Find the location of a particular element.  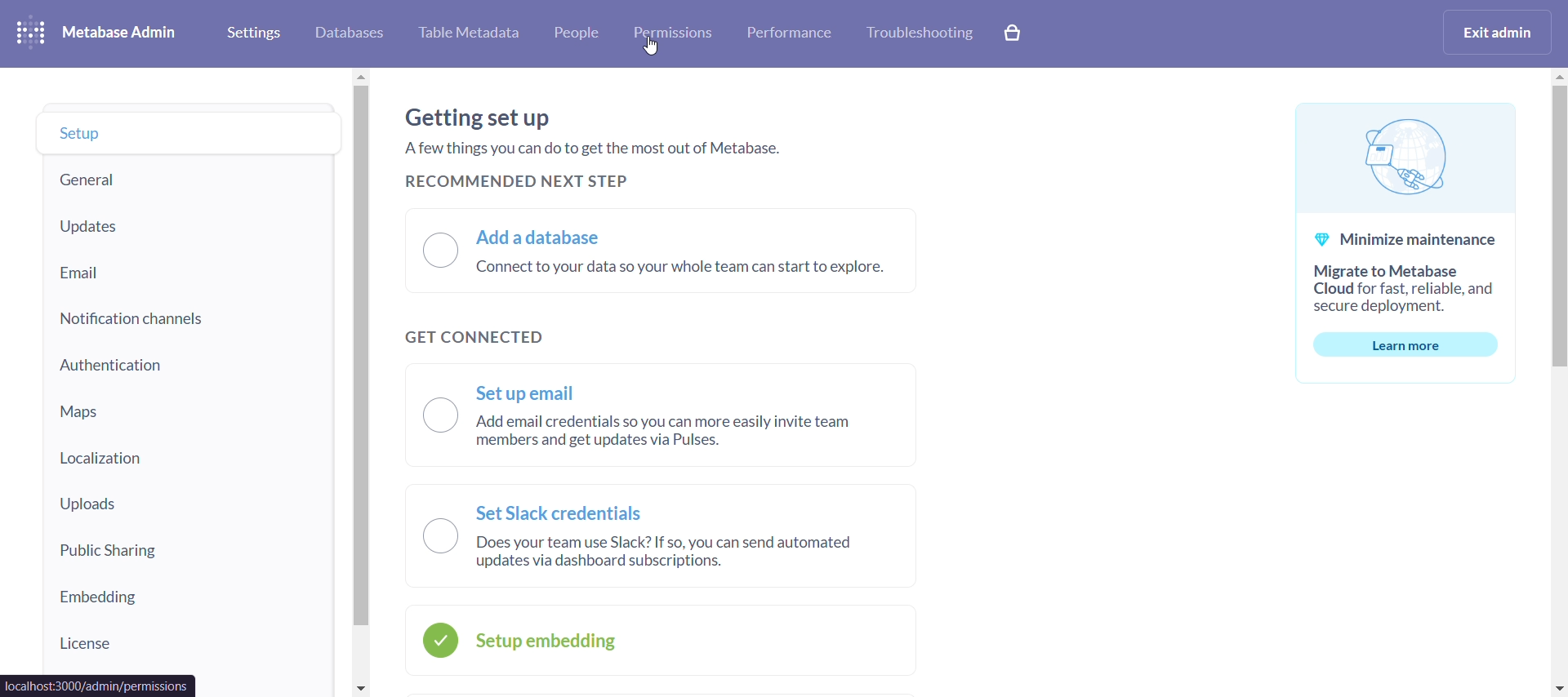

url is located at coordinates (99, 686).